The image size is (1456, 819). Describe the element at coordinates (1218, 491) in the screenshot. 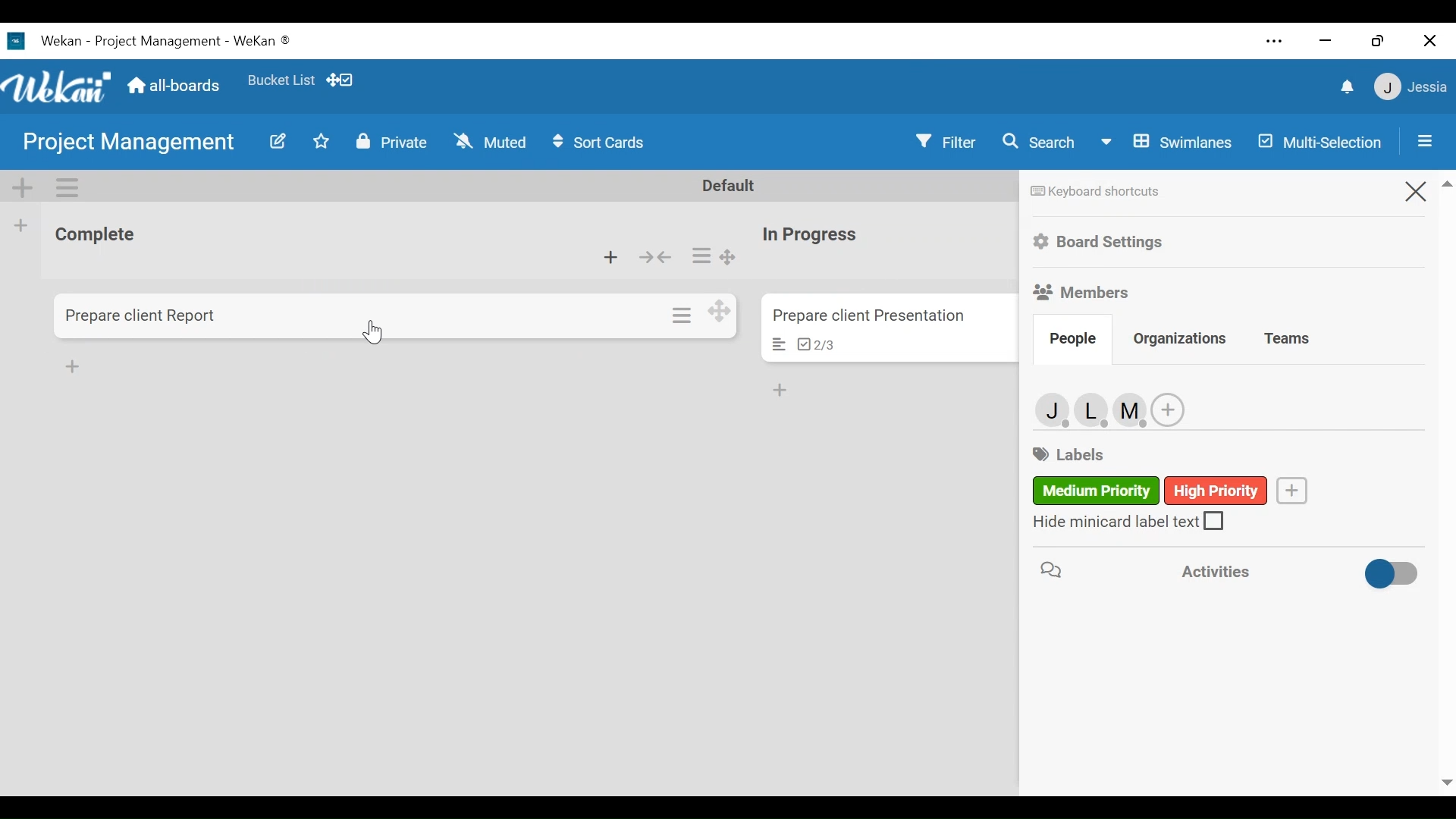

I see `high priority` at that location.